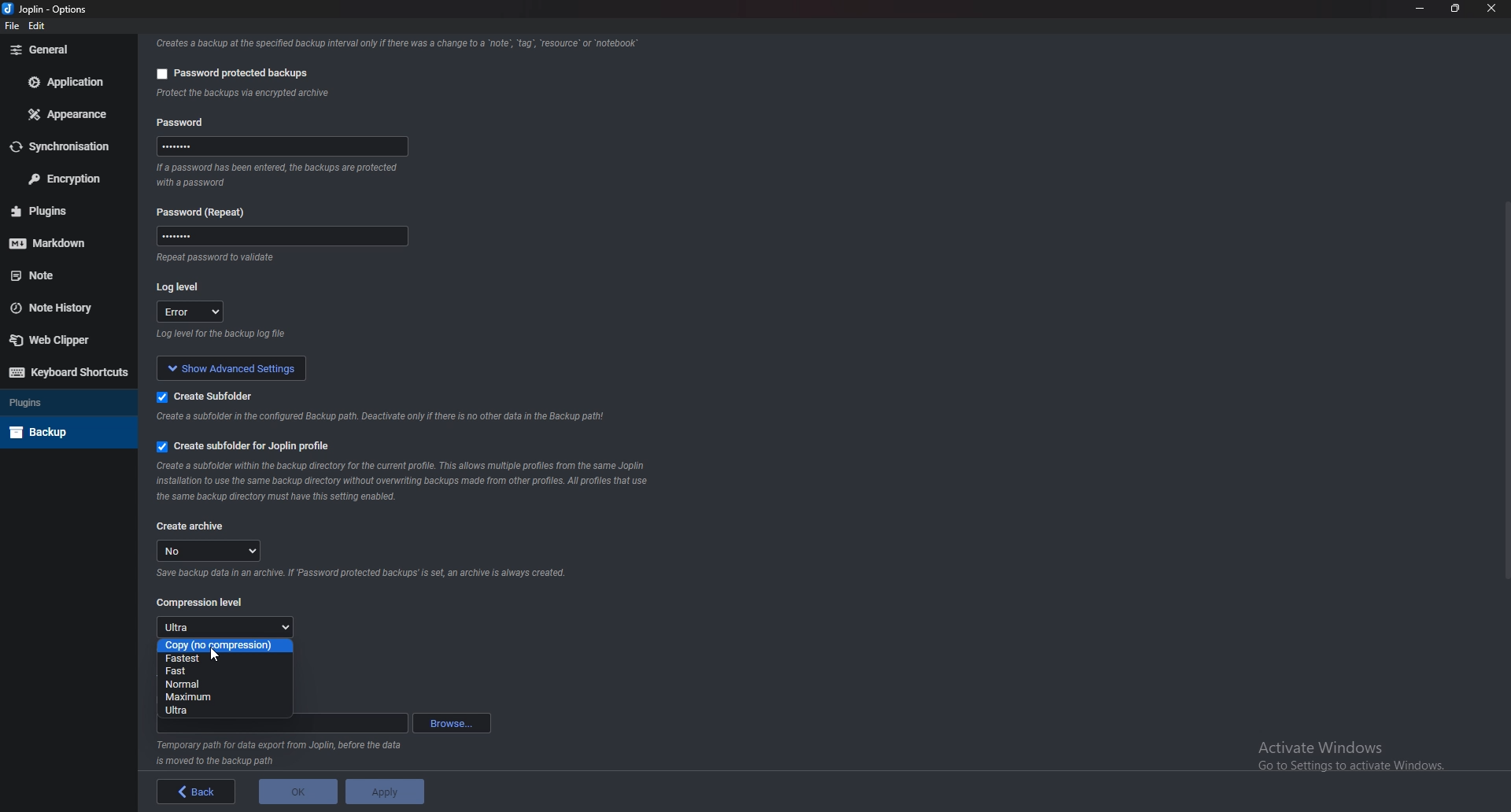  What do you see at coordinates (67, 241) in the screenshot?
I see `Markdown` at bounding box center [67, 241].